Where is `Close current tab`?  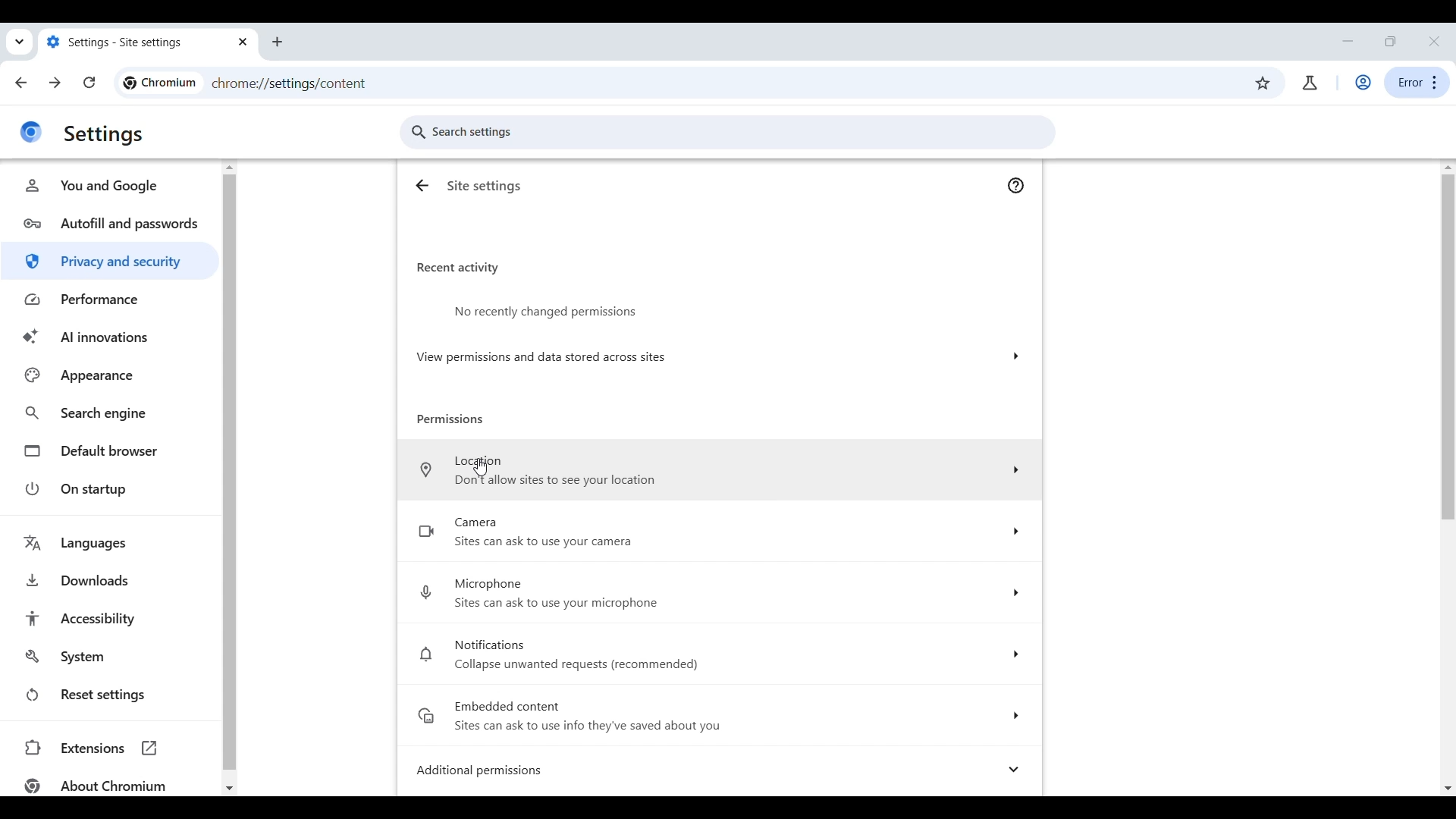
Close current tab is located at coordinates (244, 42).